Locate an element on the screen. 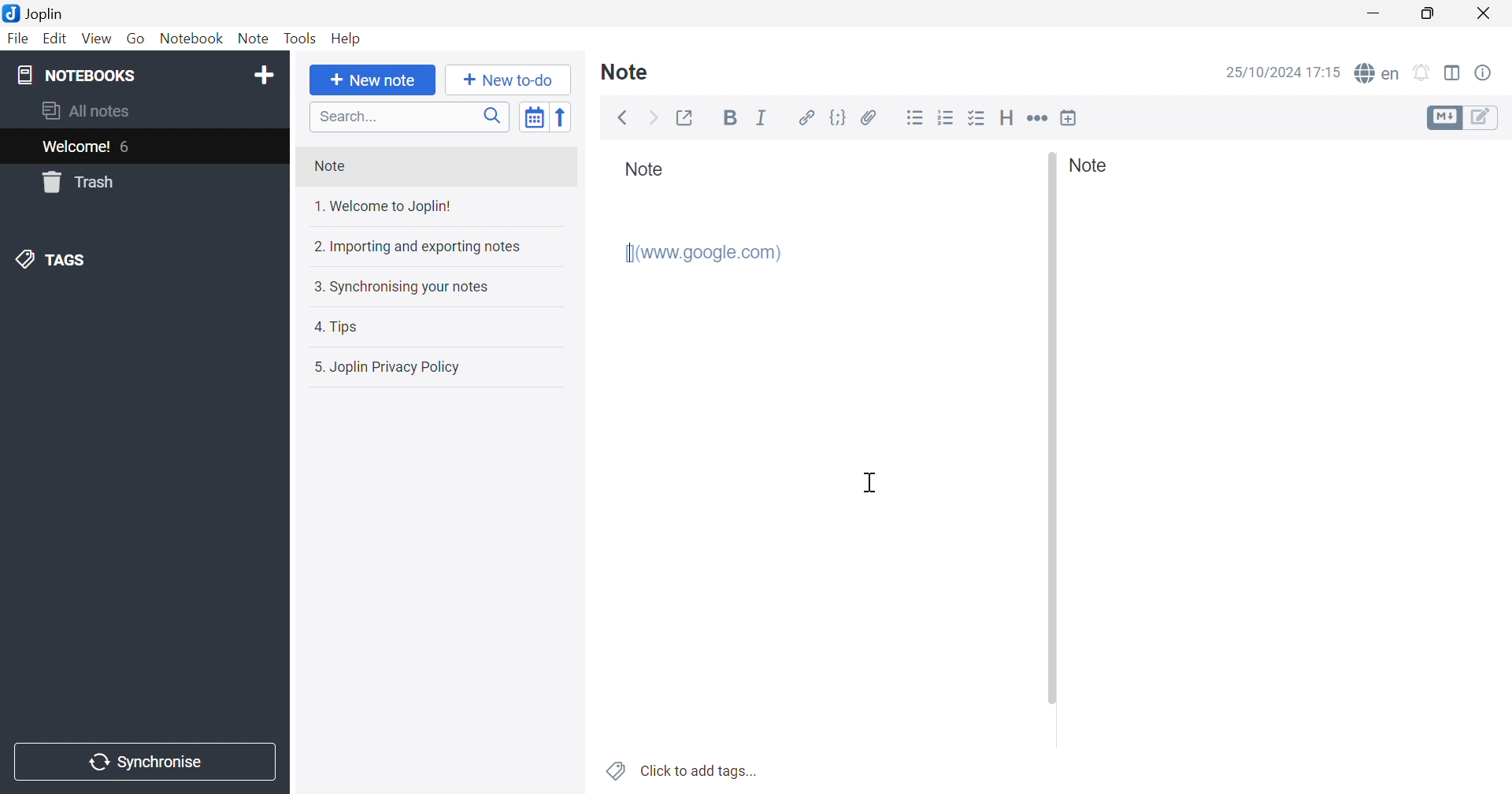  Welcome! 6 is located at coordinates (143, 147).